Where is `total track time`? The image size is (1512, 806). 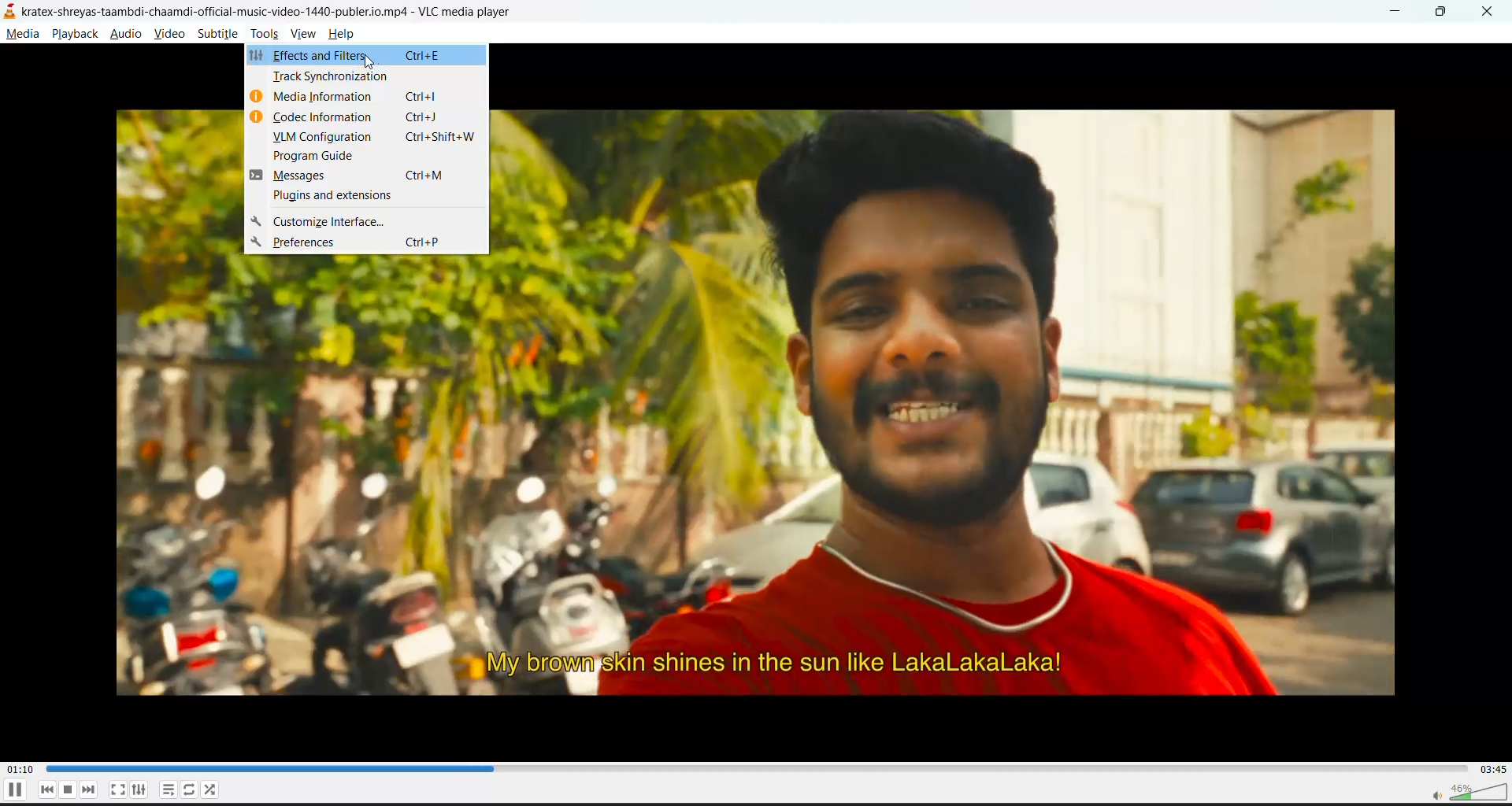 total track time is located at coordinates (1492, 768).